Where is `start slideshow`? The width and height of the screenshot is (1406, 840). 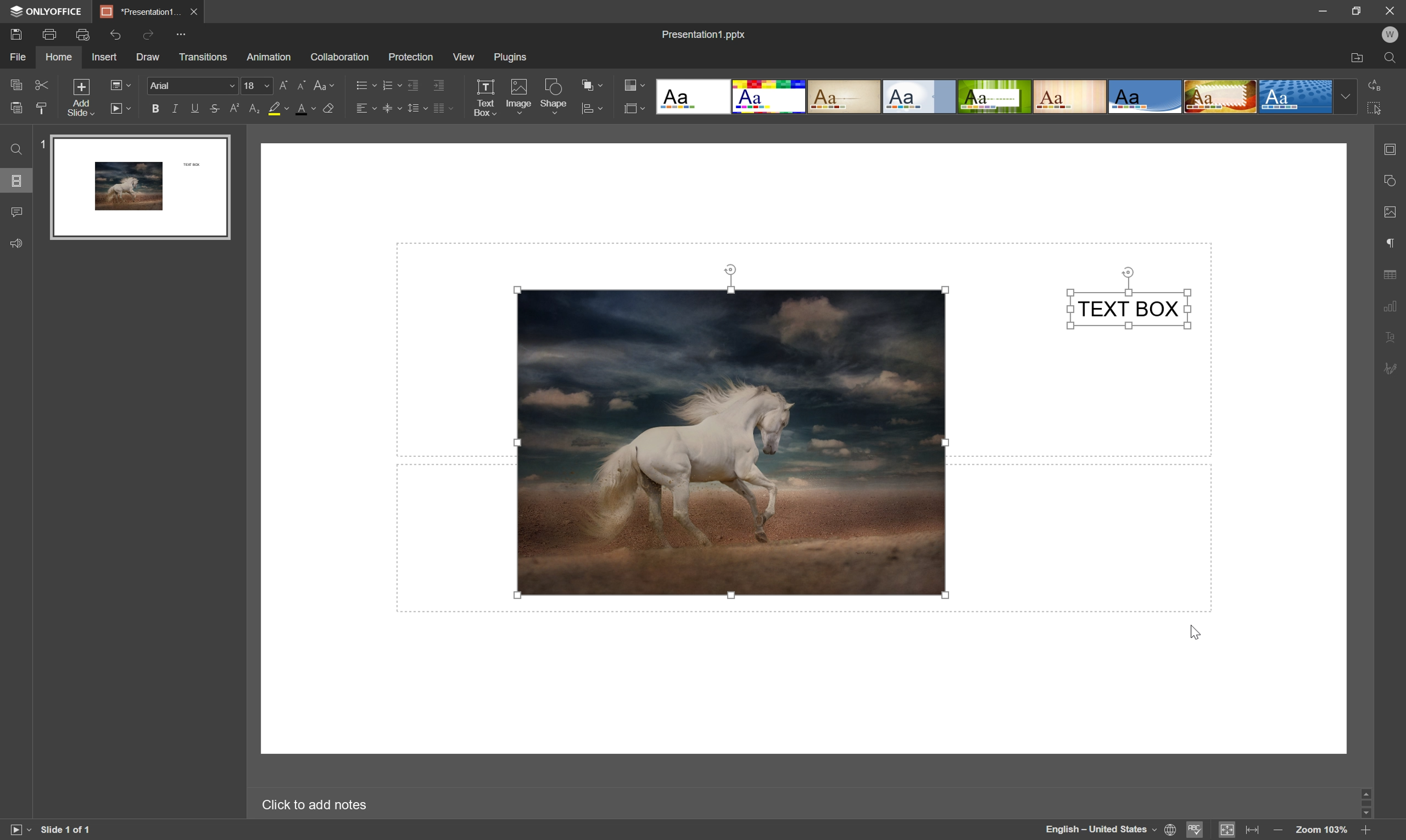
start slideshow is located at coordinates (121, 108).